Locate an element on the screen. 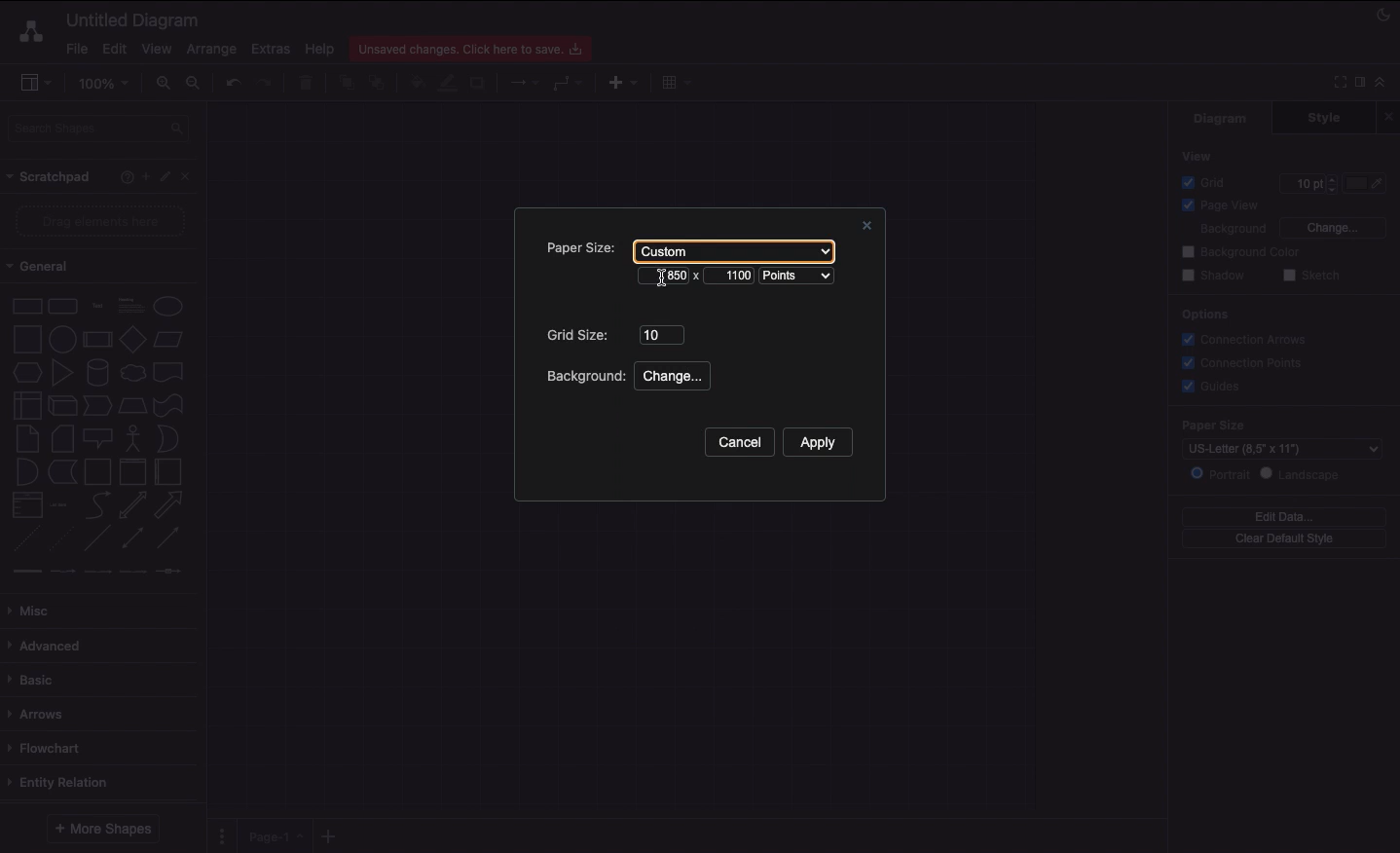 The image size is (1400, 853). Untitled diagram is located at coordinates (133, 19).